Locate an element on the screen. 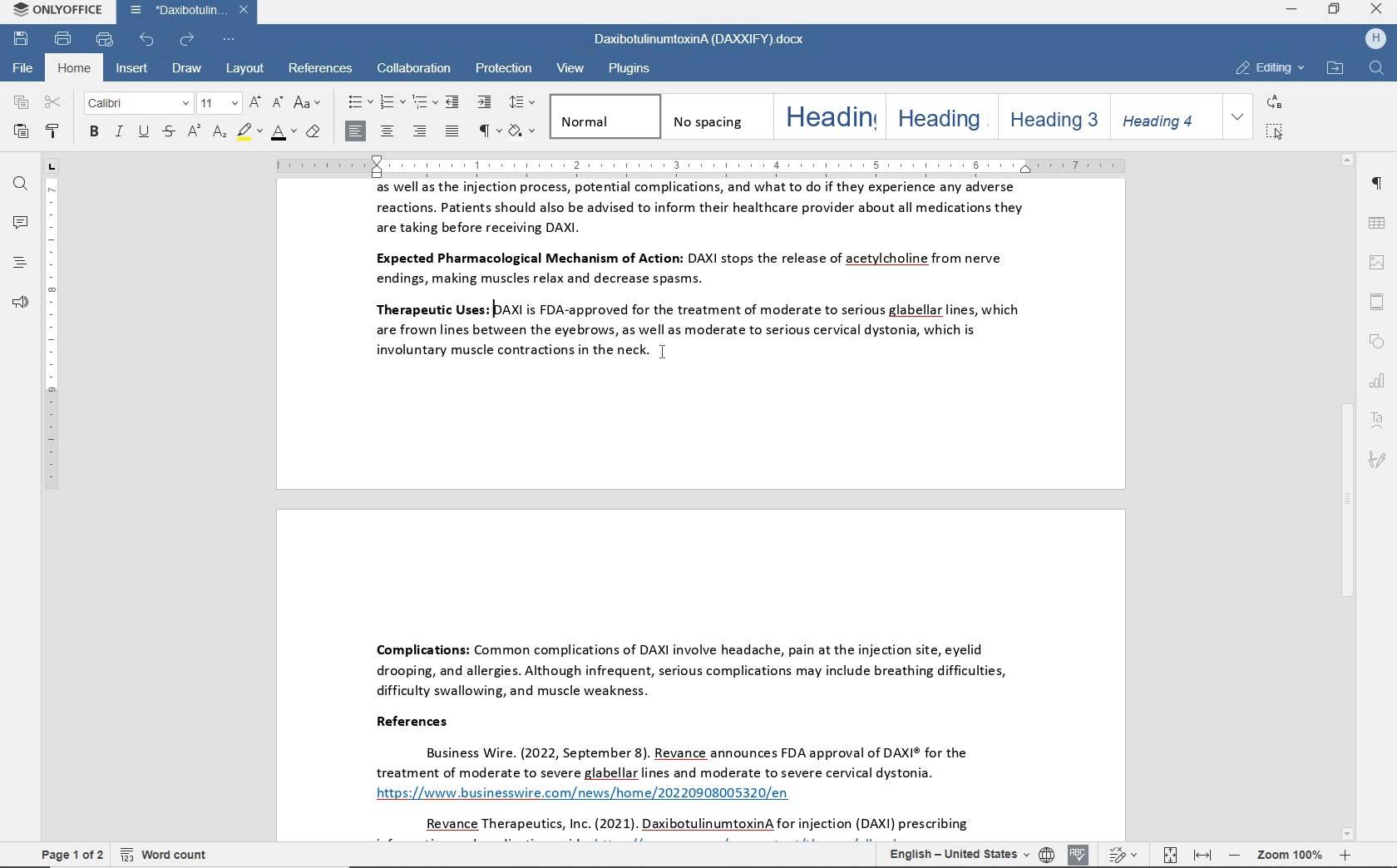  redo is located at coordinates (186, 40).